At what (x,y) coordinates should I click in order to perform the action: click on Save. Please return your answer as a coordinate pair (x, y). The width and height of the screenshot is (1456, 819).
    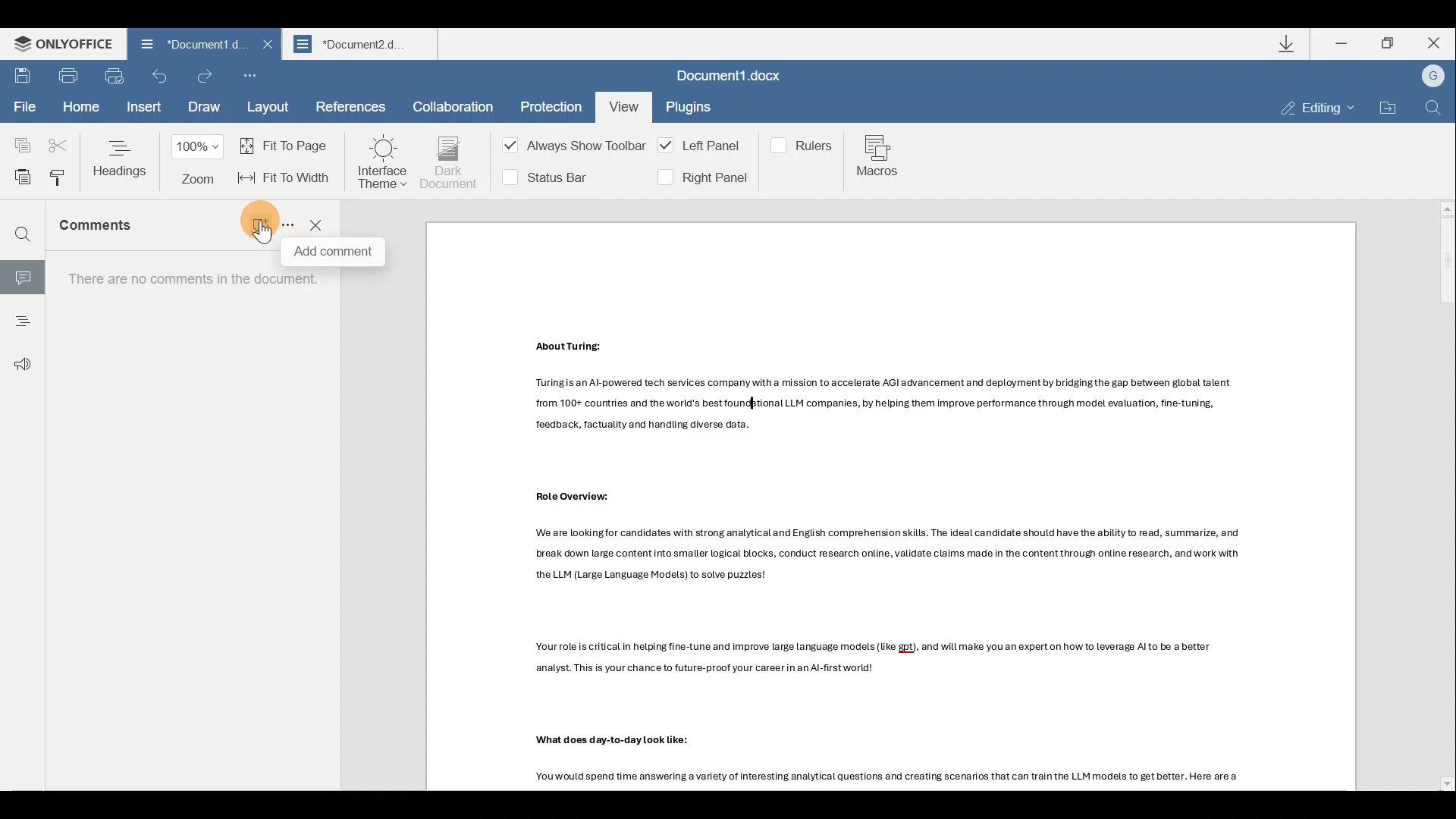
    Looking at the image, I should click on (23, 77).